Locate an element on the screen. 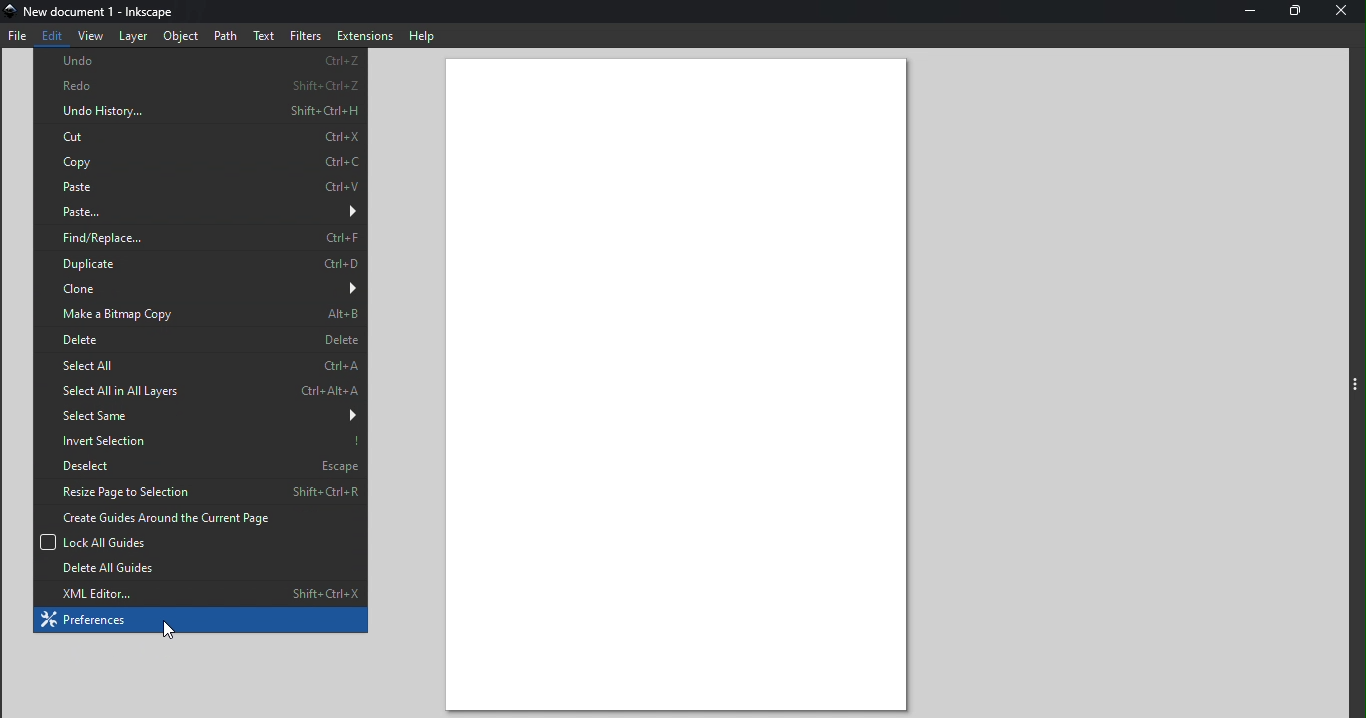  Canvas is located at coordinates (690, 383).